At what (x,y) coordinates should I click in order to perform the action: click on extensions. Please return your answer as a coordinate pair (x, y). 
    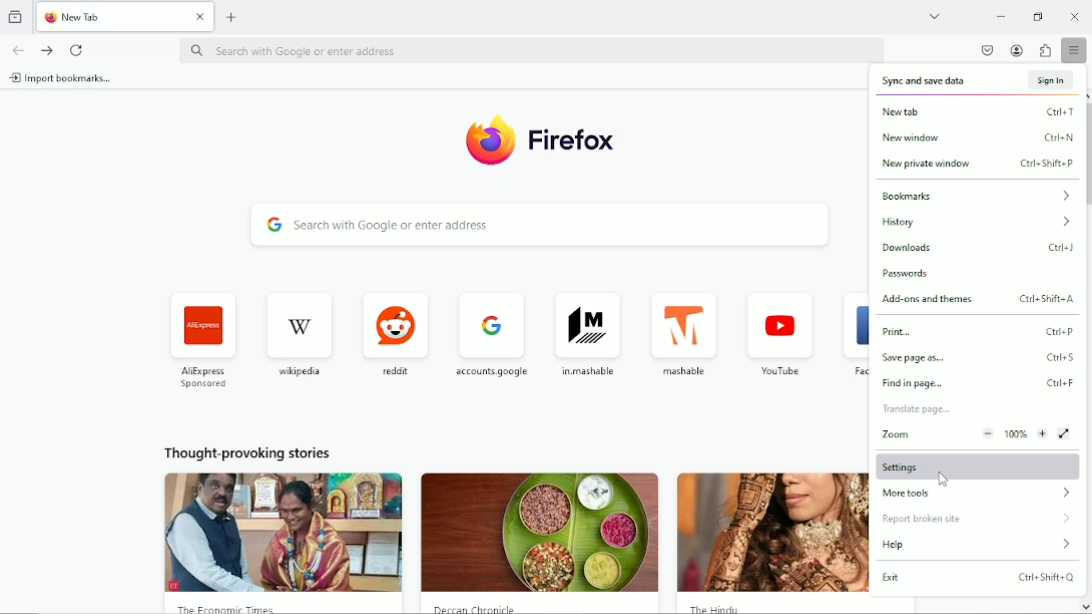
    Looking at the image, I should click on (1045, 50).